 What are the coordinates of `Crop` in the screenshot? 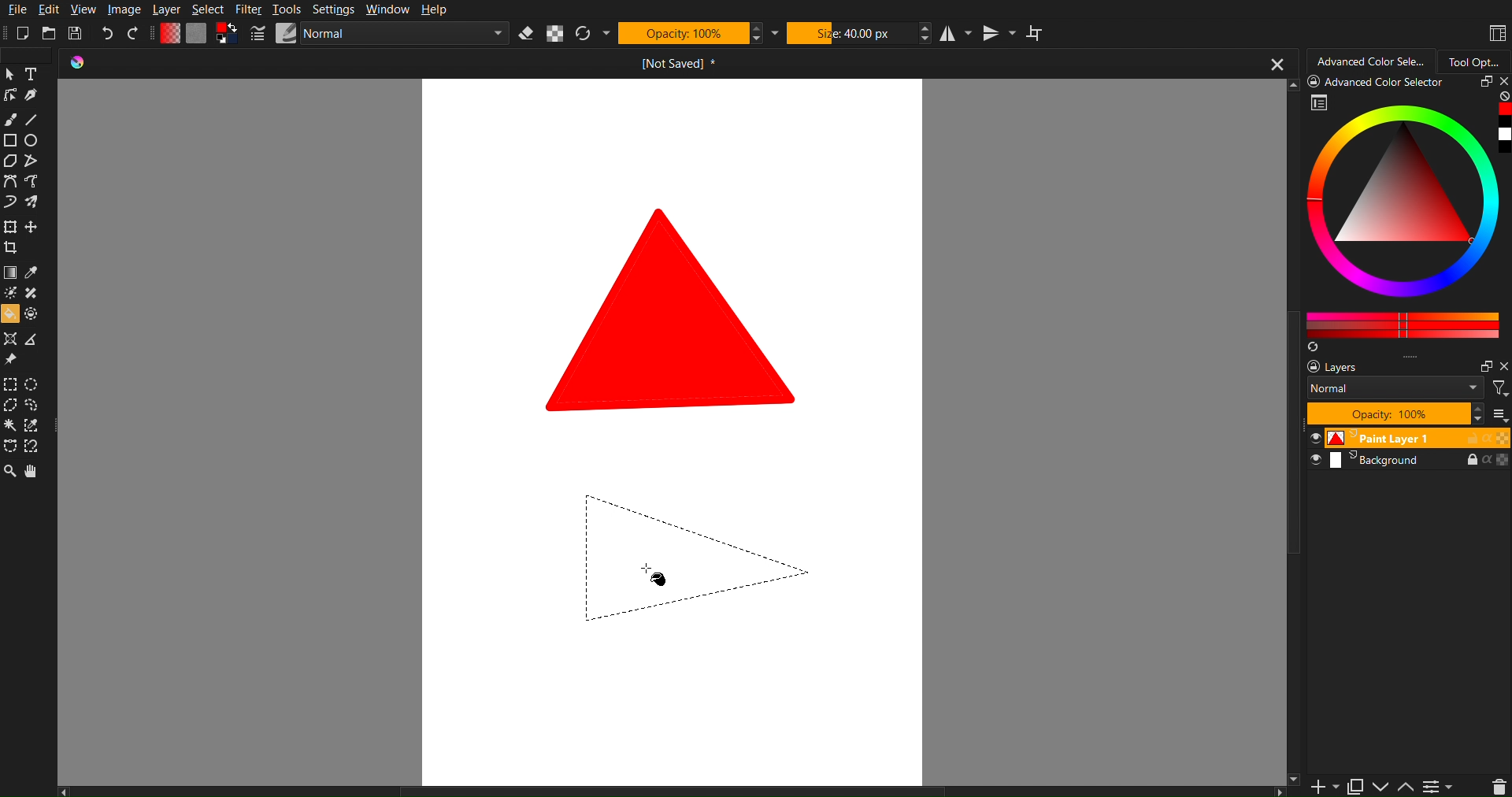 It's located at (13, 250).